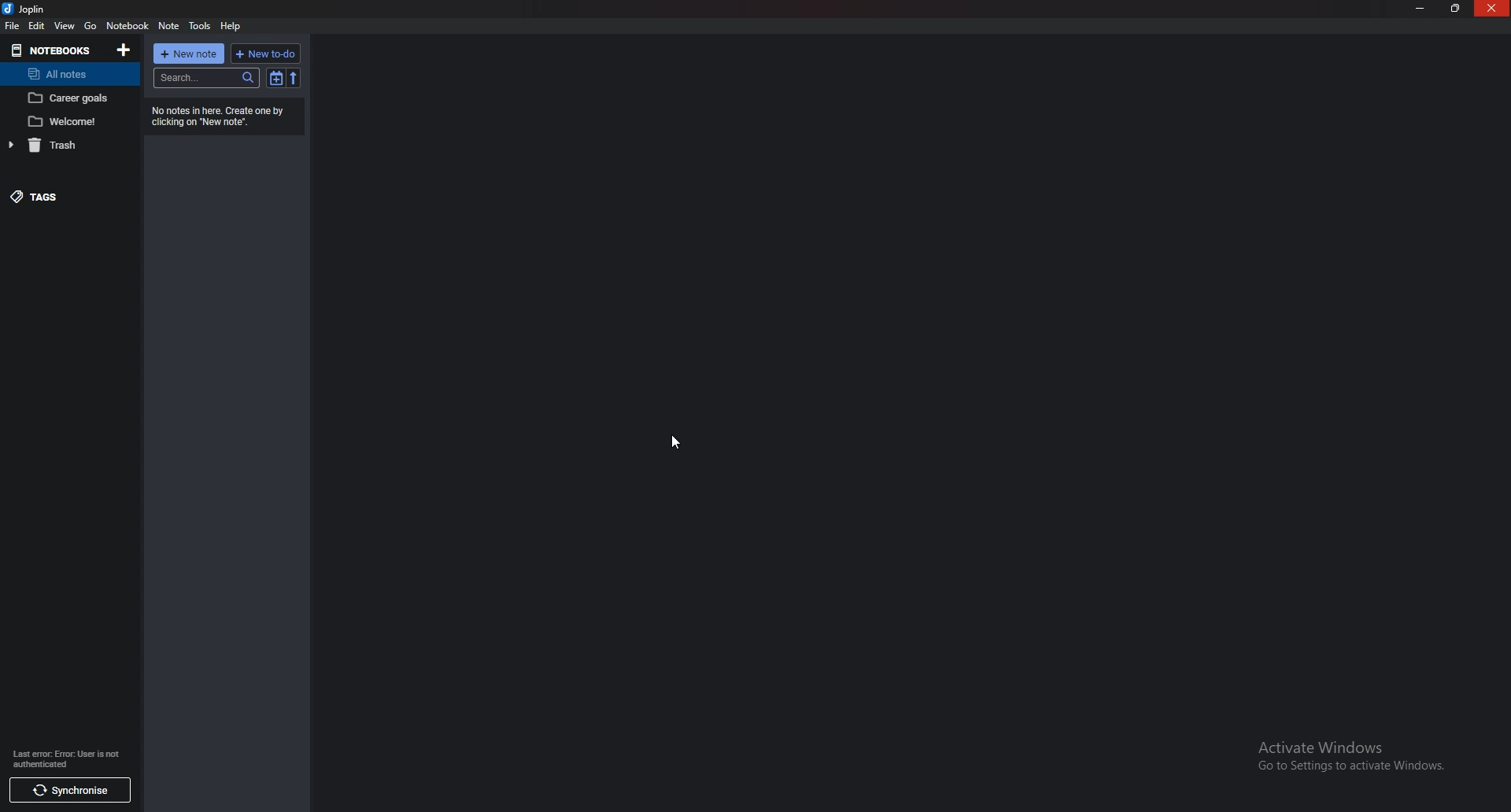 This screenshot has height=812, width=1511. What do you see at coordinates (63, 25) in the screenshot?
I see `view` at bounding box center [63, 25].